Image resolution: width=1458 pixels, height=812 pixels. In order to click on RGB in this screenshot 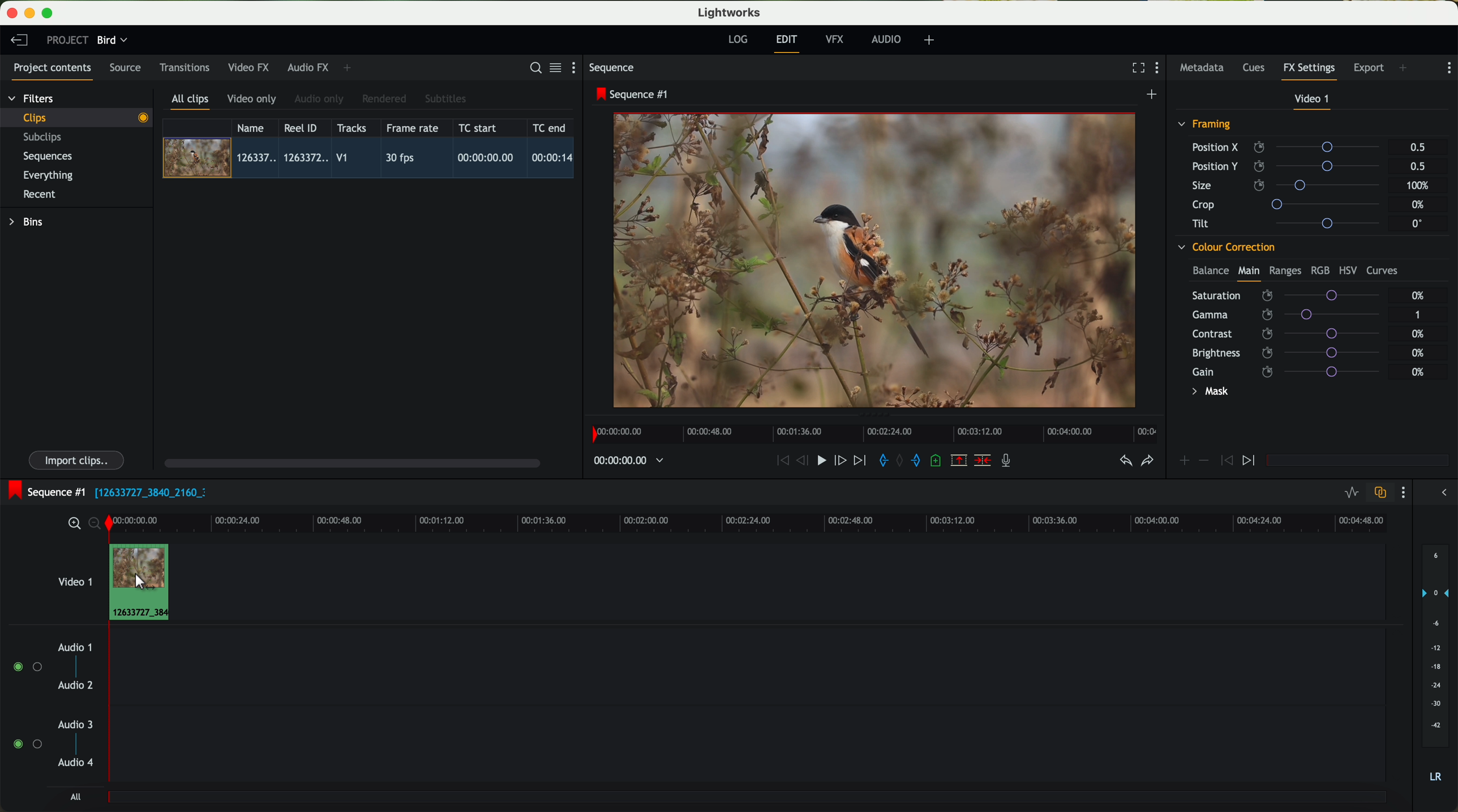, I will do `click(1319, 269)`.